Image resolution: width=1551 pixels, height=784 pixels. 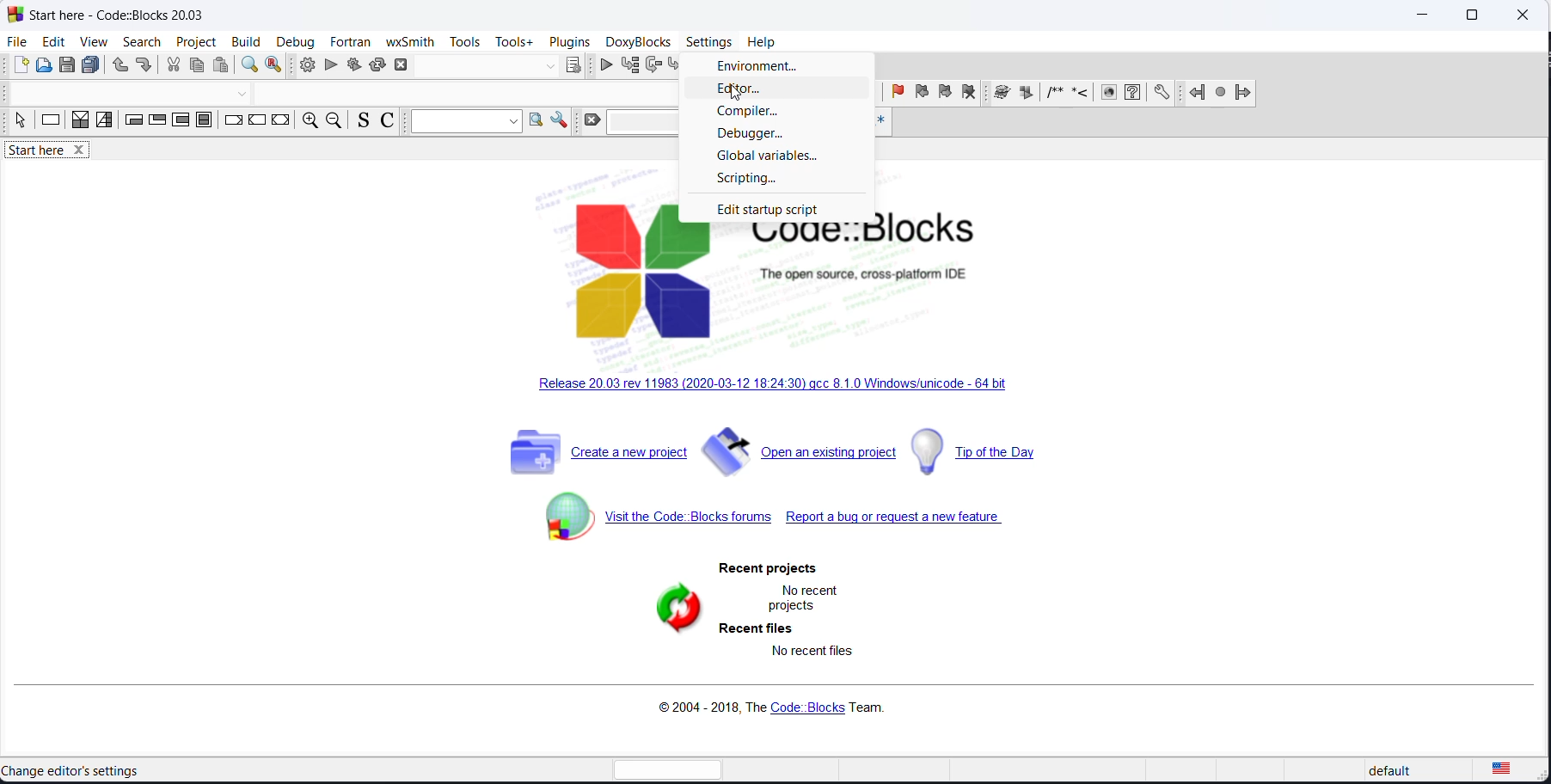 What do you see at coordinates (643, 523) in the screenshot?
I see `forum` at bounding box center [643, 523].